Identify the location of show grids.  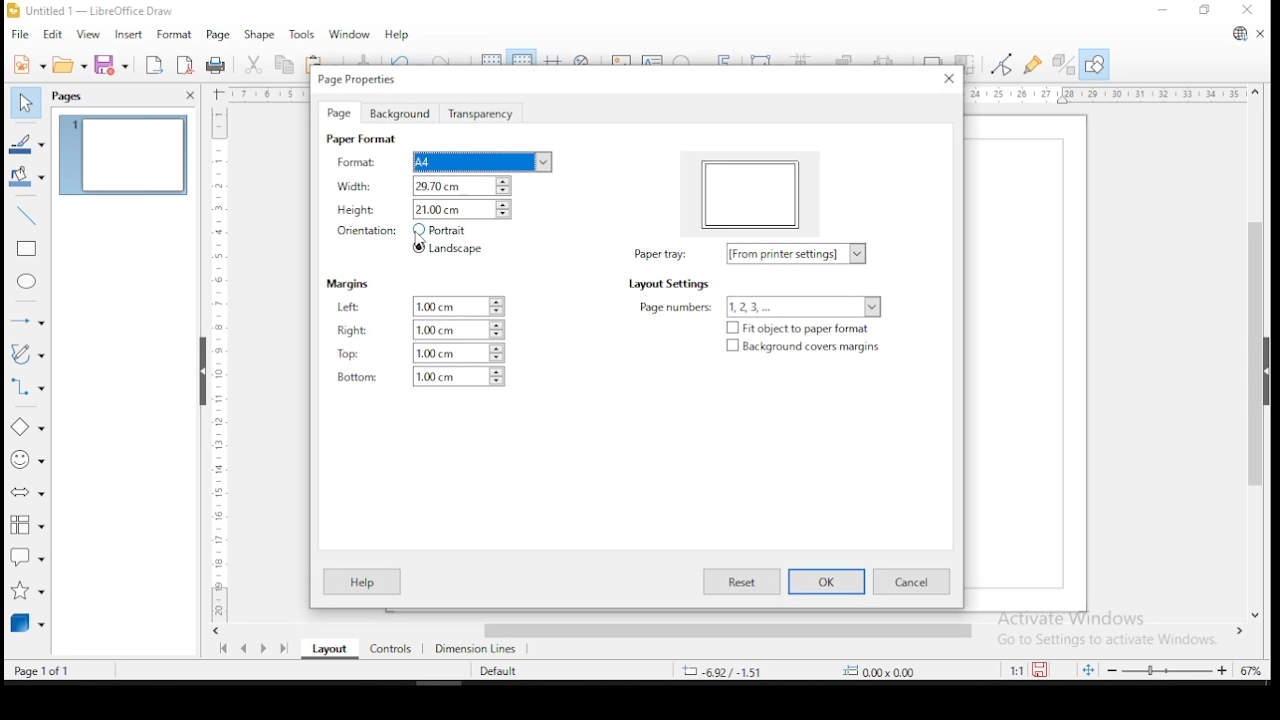
(489, 57).